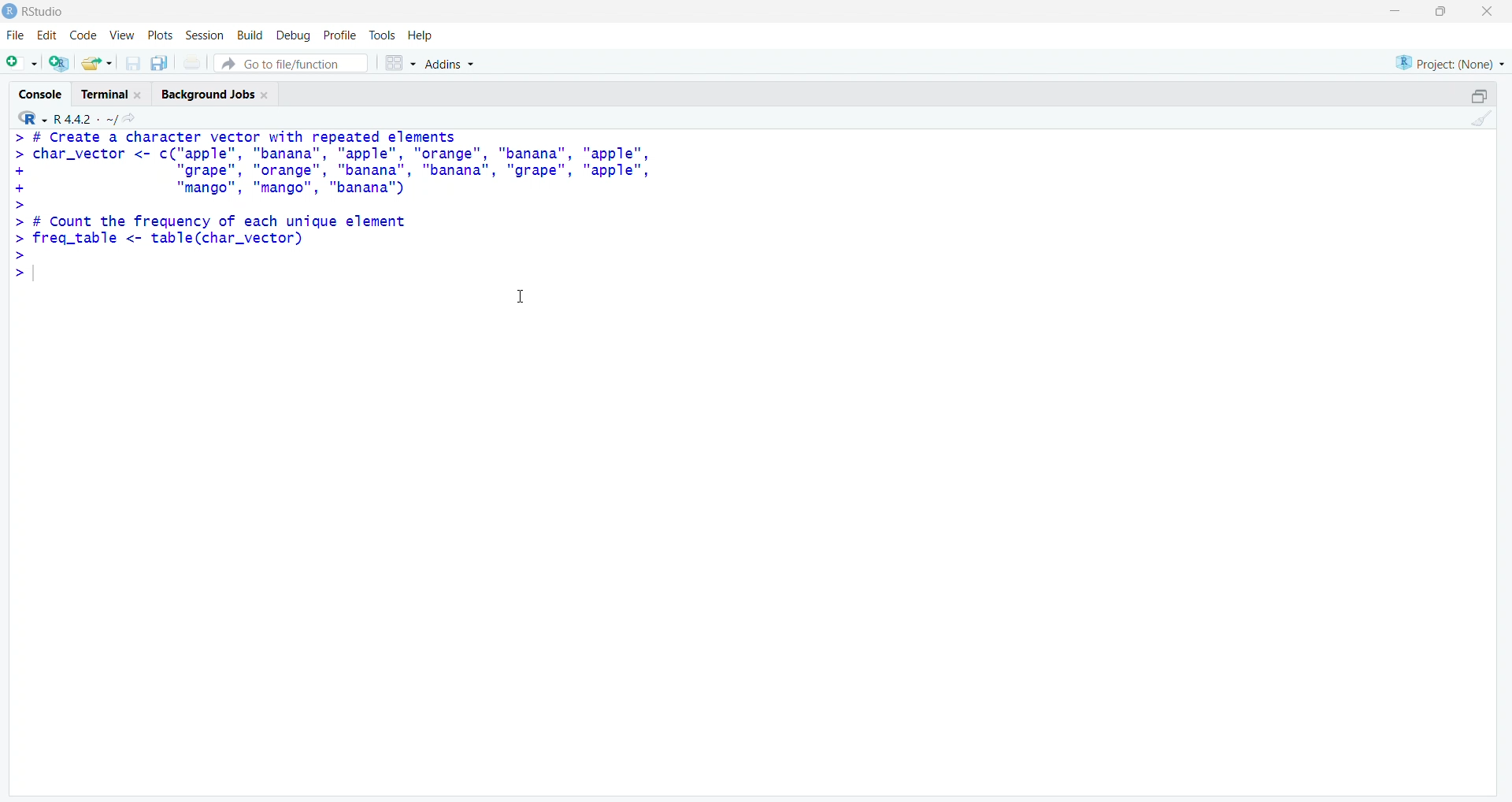 Image resolution: width=1512 pixels, height=802 pixels. Describe the element at coordinates (1446, 60) in the screenshot. I see `Project (None)` at that location.